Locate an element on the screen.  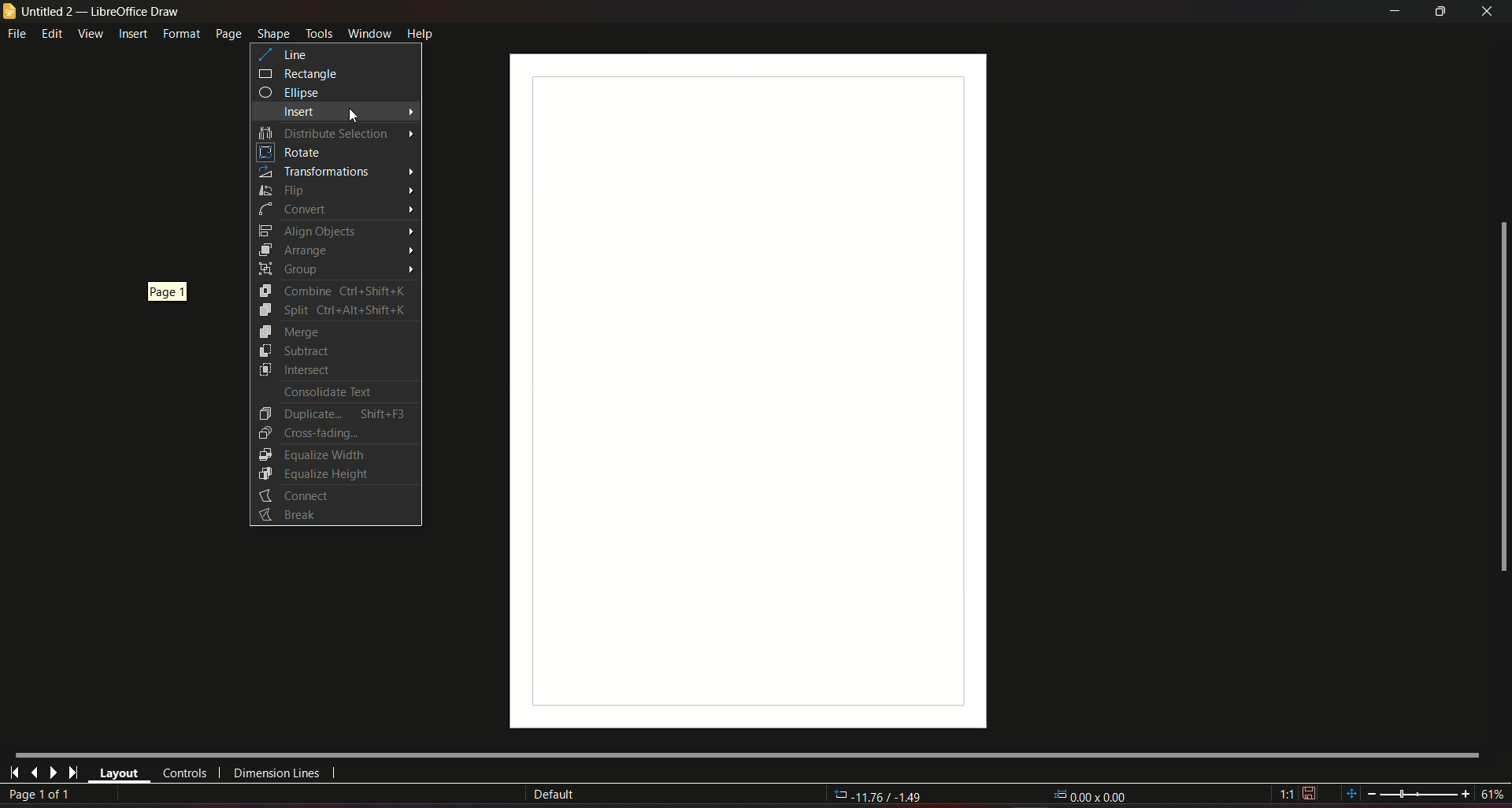
-11.76/-1.49 is located at coordinates (880, 797).